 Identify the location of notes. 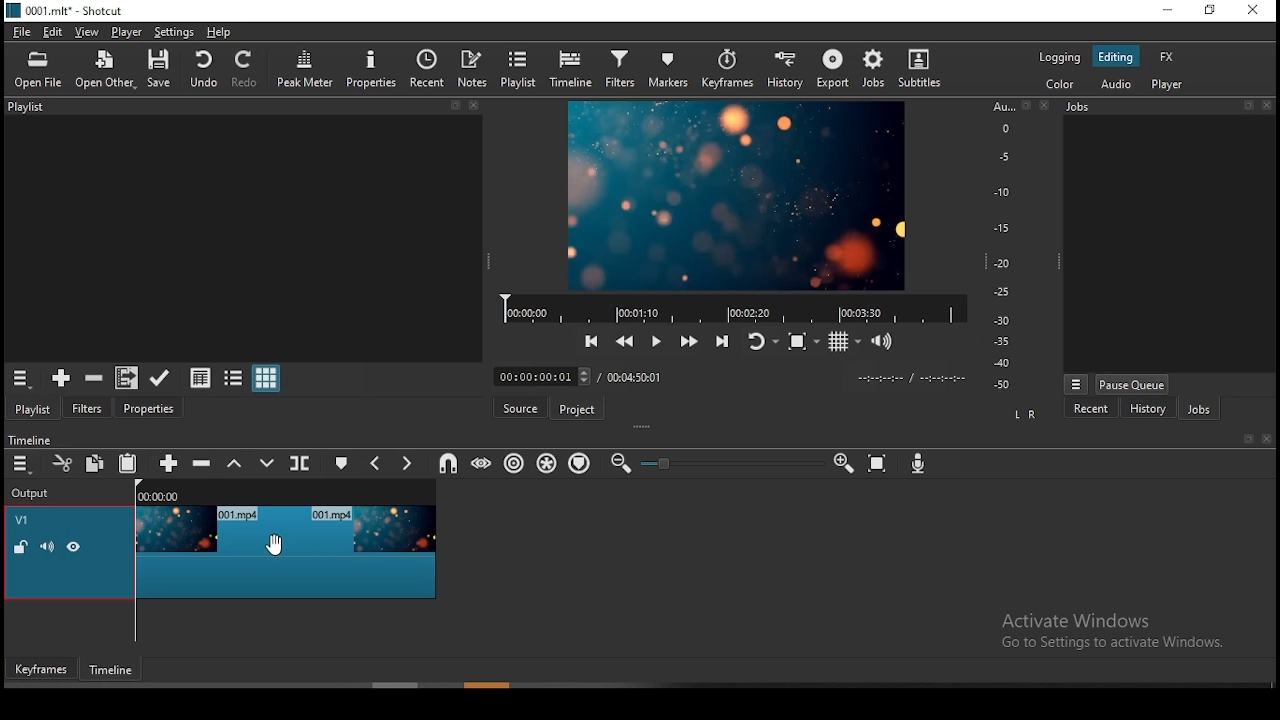
(475, 68).